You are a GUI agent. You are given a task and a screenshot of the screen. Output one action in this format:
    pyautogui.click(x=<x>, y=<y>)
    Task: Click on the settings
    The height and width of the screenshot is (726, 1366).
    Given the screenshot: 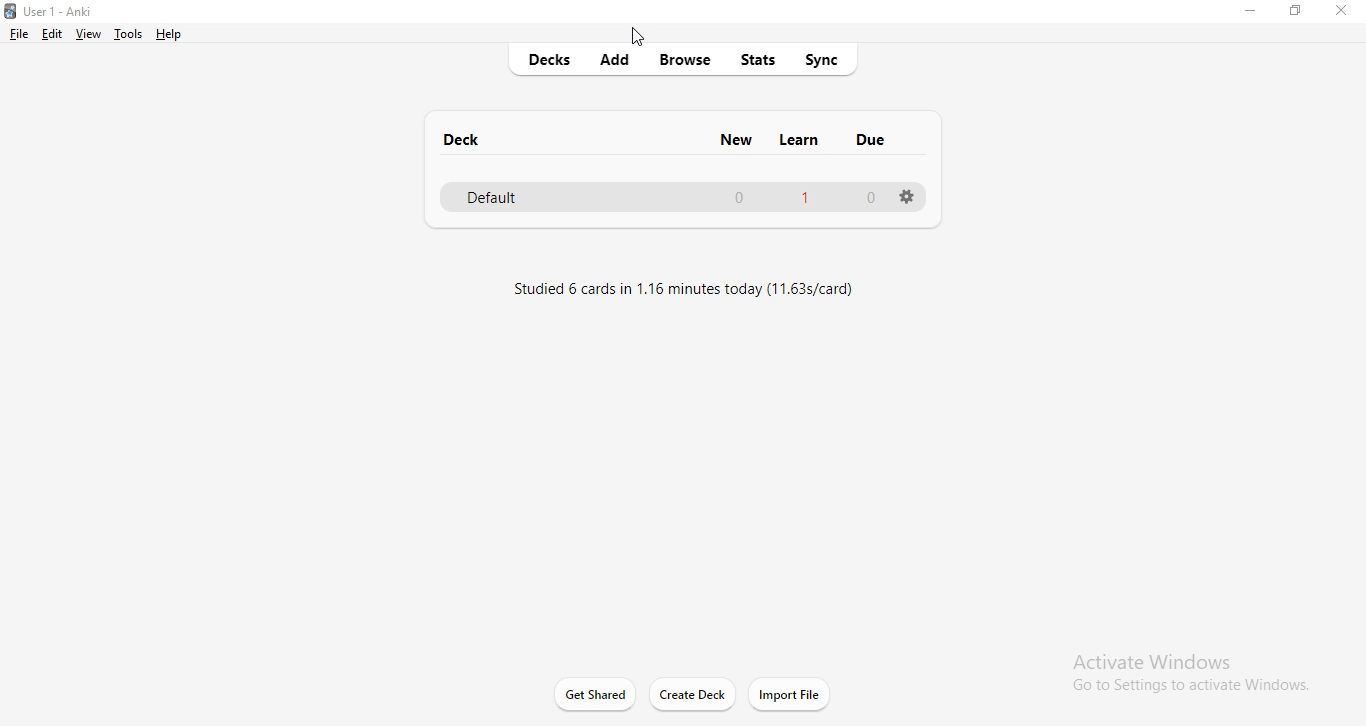 What is the action you would take?
    pyautogui.click(x=914, y=197)
    